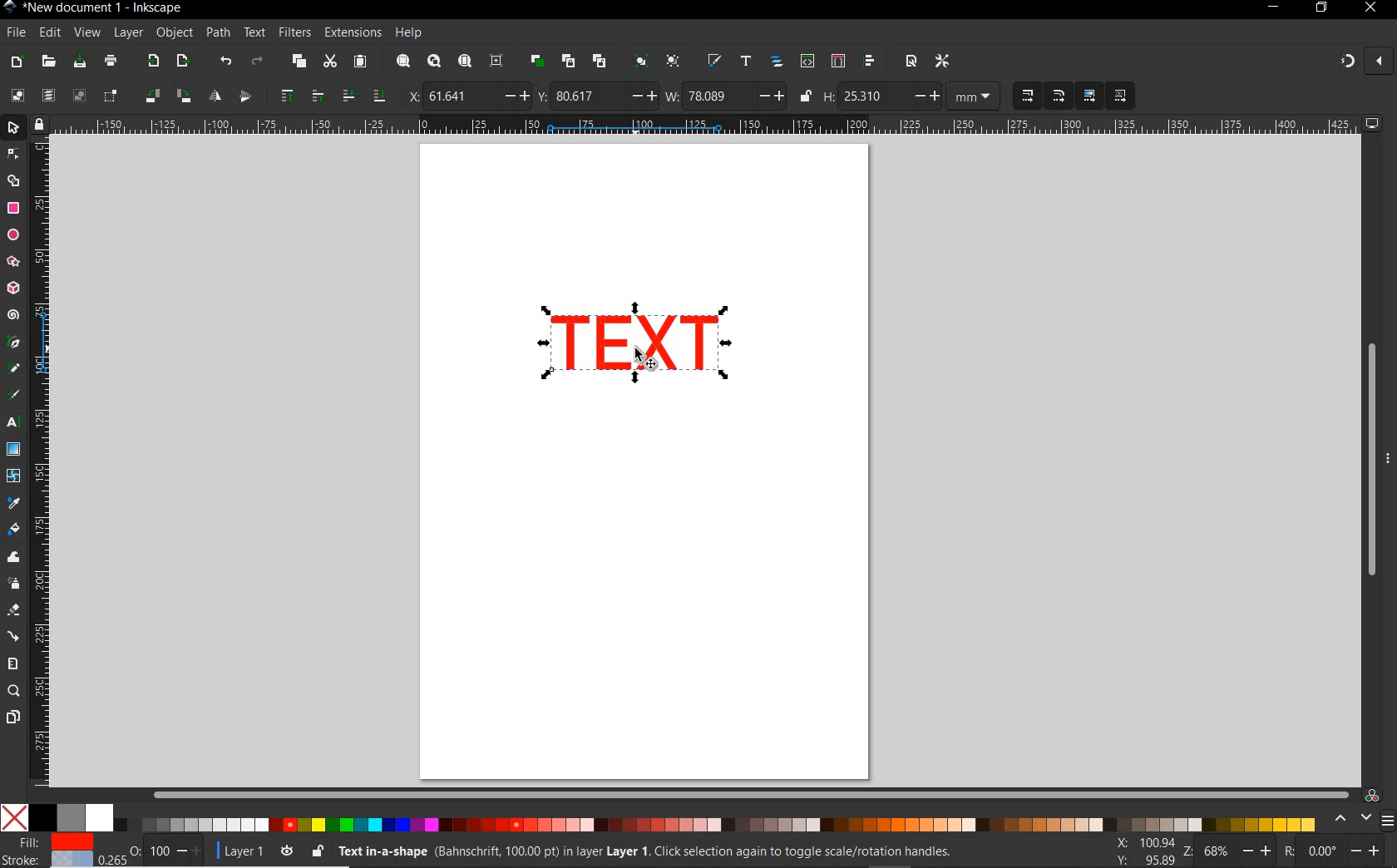 This screenshot has height=868, width=1397. What do you see at coordinates (13, 450) in the screenshot?
I see `gradient tool` at bounding box center [13, 450].